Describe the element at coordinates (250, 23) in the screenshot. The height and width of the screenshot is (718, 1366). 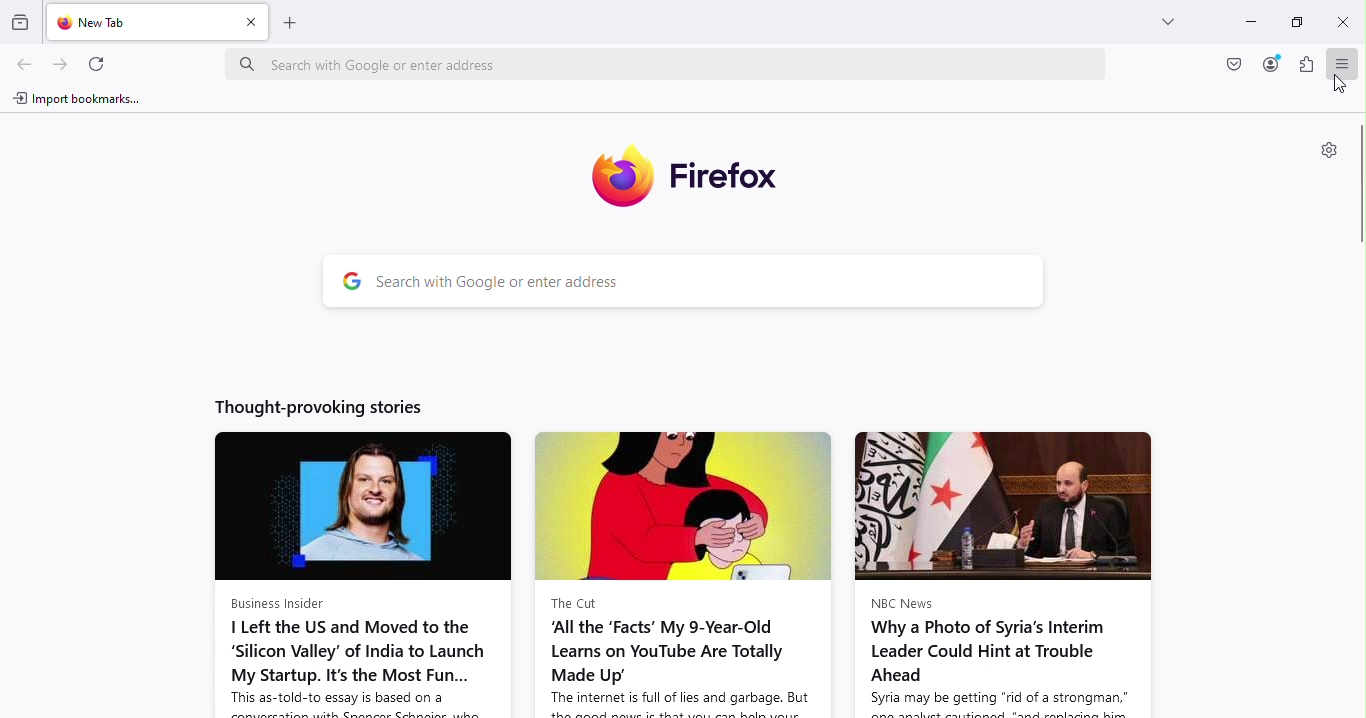
I see `Close tab` at that location.